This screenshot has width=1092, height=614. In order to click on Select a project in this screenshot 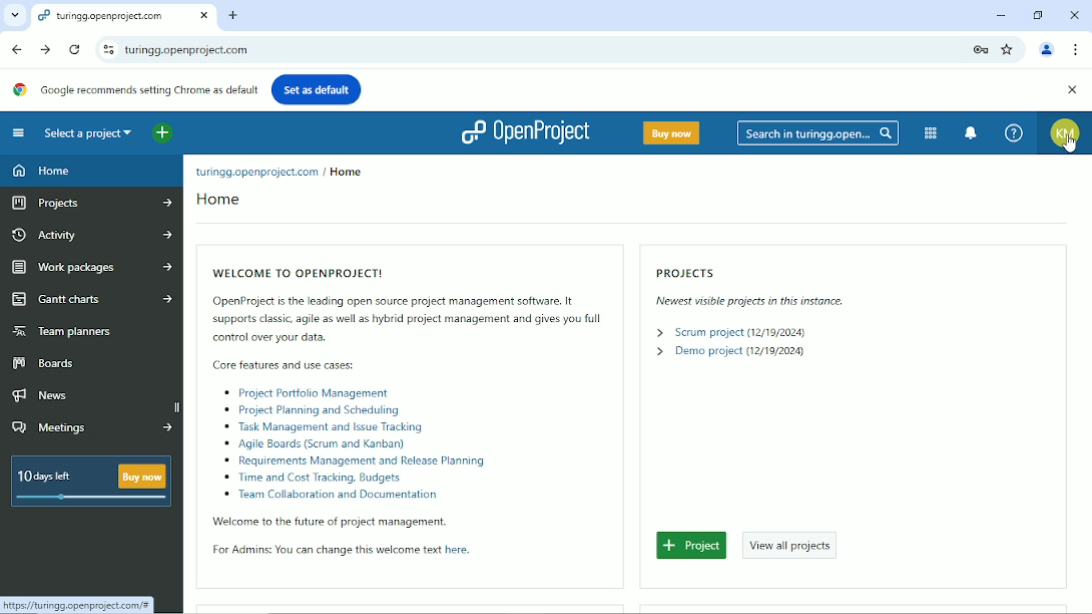, I will do `click(88, 133)`.